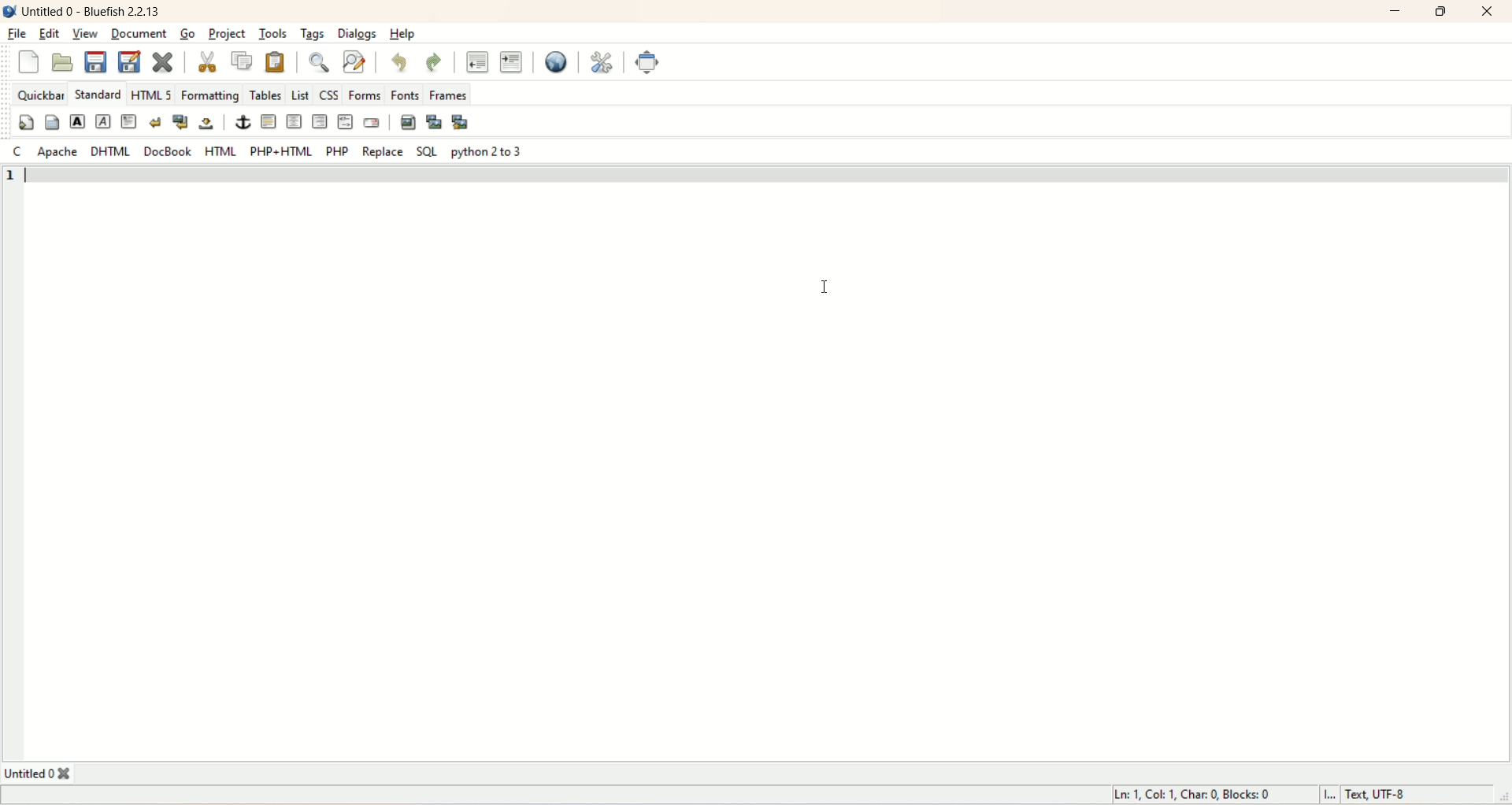 The width and height of the screenshot is (1512, 805). I want to click on email, so click(373, 124).